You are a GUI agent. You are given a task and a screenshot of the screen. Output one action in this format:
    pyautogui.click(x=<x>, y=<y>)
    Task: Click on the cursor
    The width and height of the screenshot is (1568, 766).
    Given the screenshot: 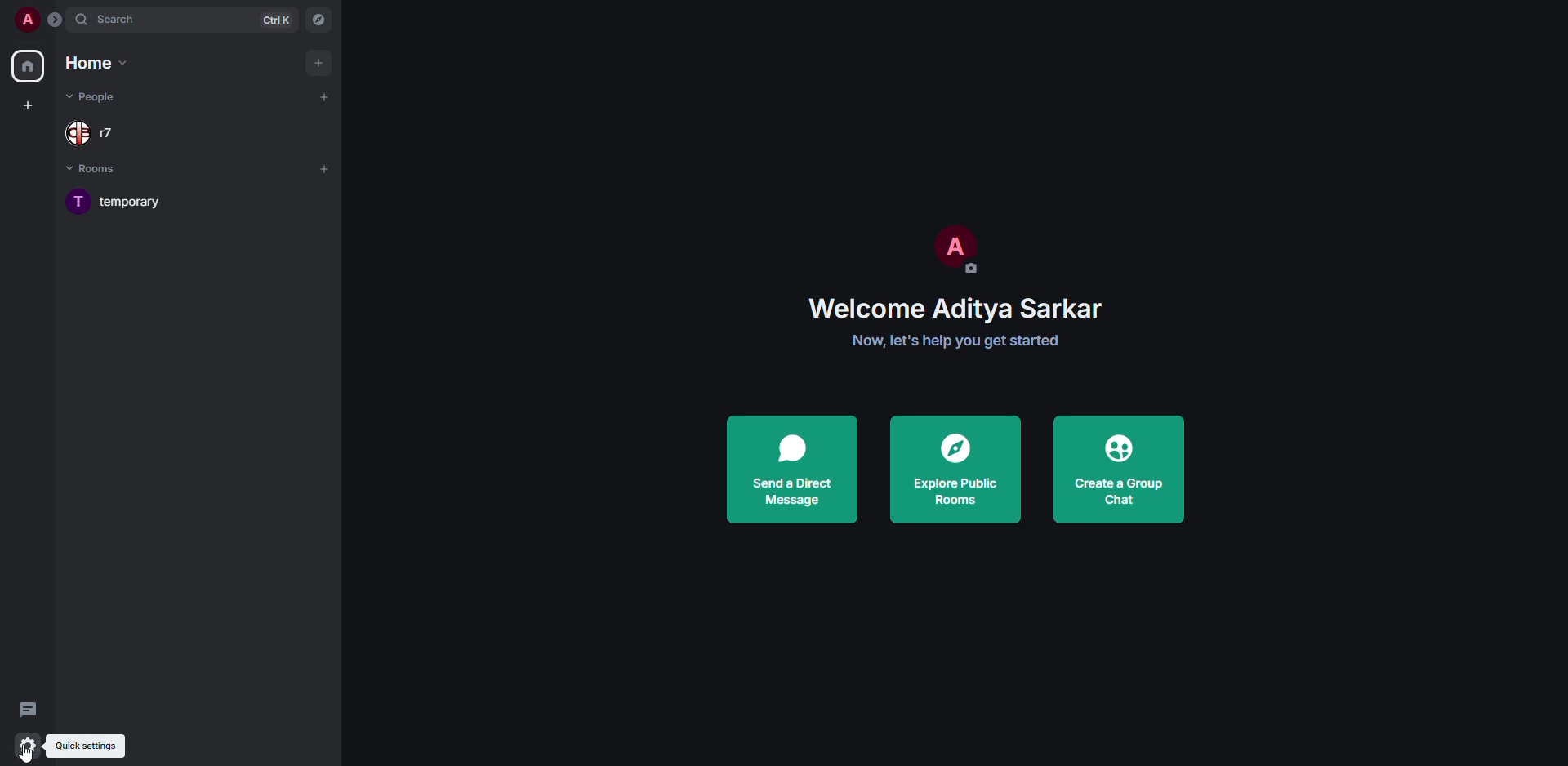 What is the action you would take?
    pyautogui.click(x=31, y=754)
    